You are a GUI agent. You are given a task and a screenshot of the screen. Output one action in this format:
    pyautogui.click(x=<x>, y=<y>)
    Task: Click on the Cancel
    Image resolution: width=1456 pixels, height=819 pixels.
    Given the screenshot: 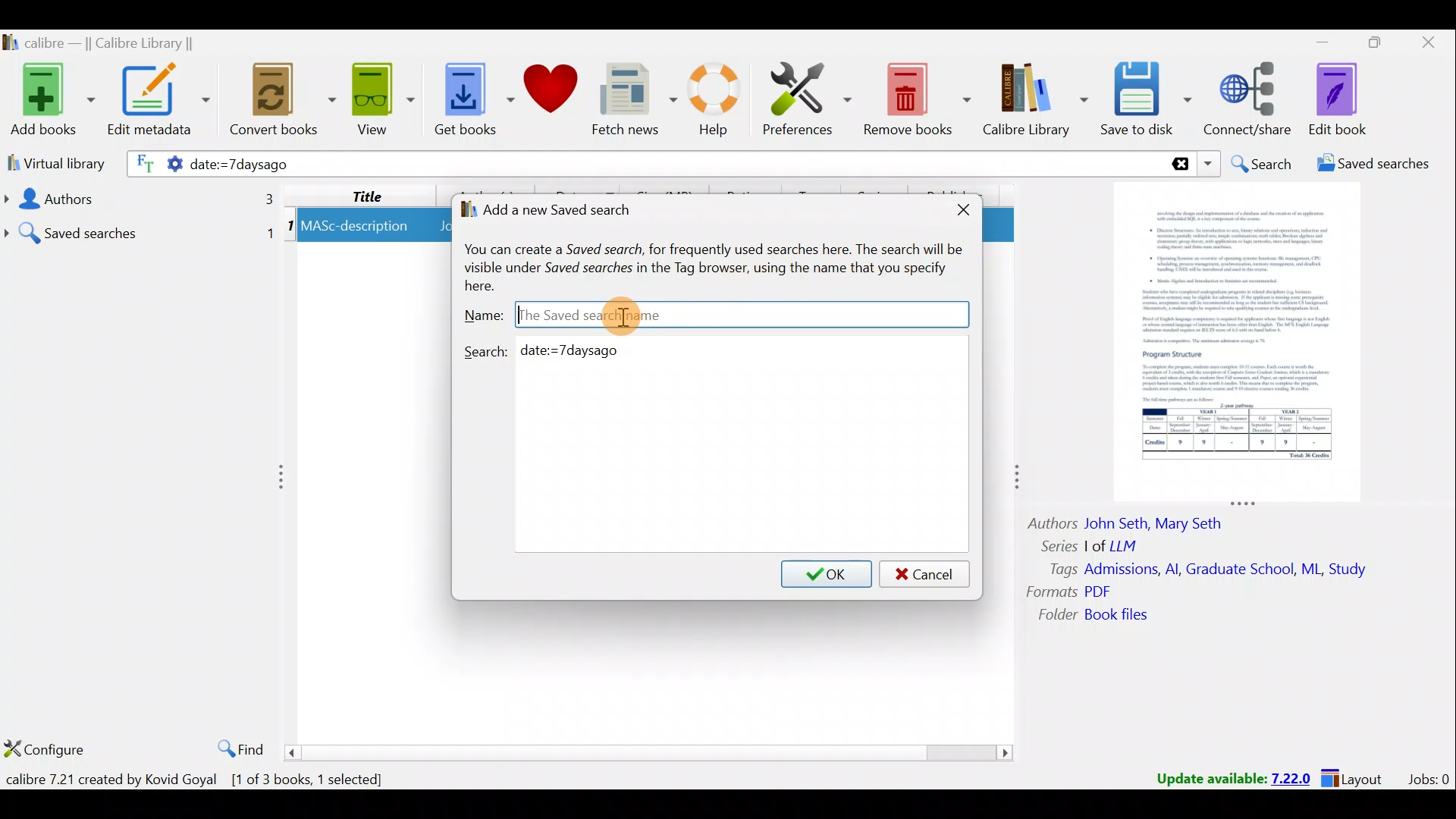 What is the action you would take?
    pyautogui.click(x=927, y=573)
    